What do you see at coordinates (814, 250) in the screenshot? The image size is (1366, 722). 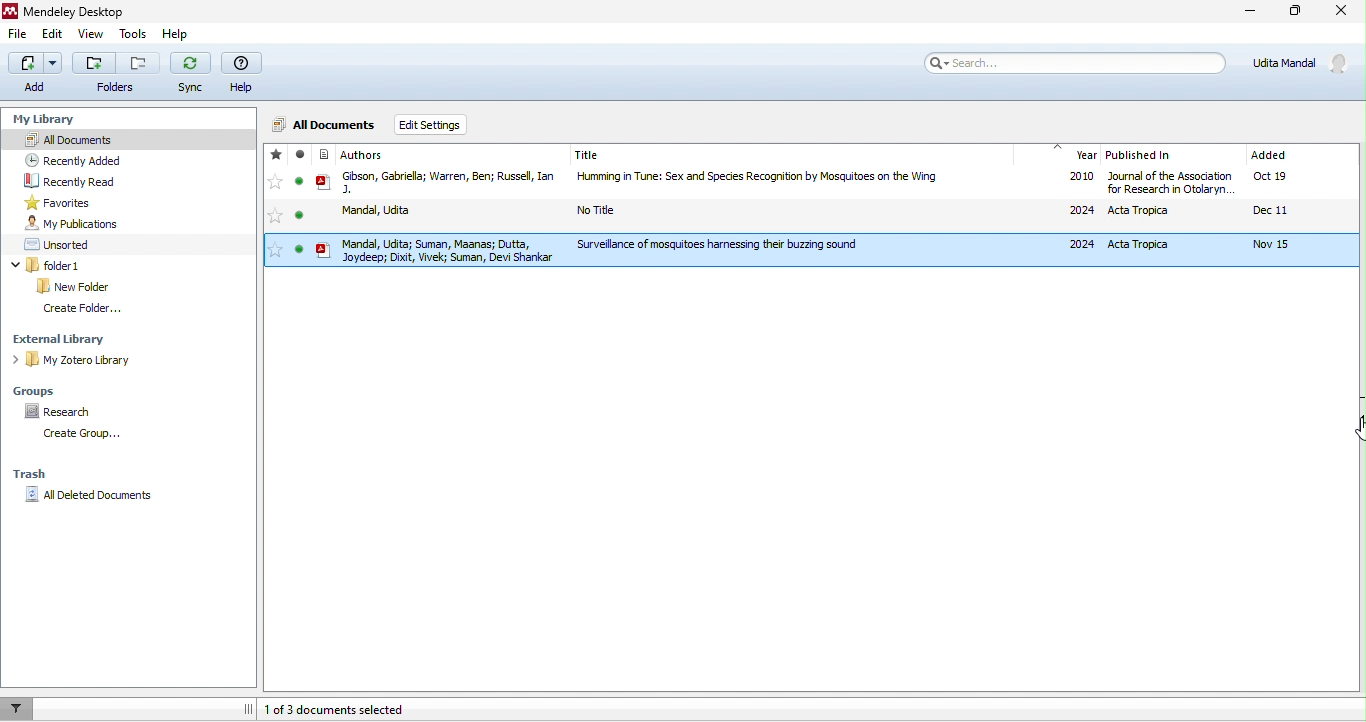 I see `Mandal, Udita; Suman, Maanas; Dutta, Surveilance of mosquitoes harnessing their buzzing sound 2024 Acta Tropica Nov 15.
Joydeep; Dixit, Vivek; Suman, Devi Shankar` at bounding box center [814, 250].